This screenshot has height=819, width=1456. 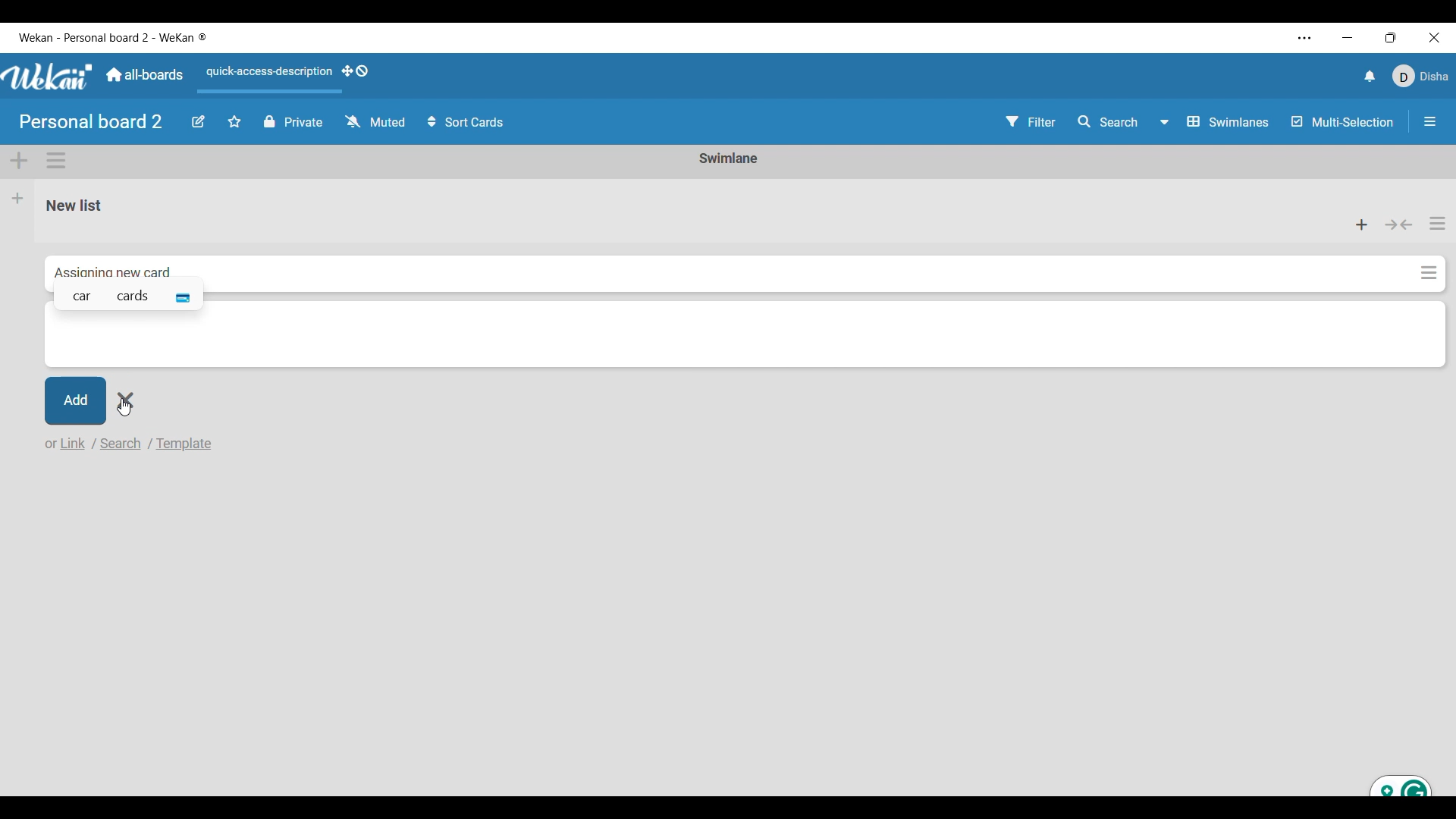 I want to click on Toggle for Multi-selection, so click(x=1343, y=121).